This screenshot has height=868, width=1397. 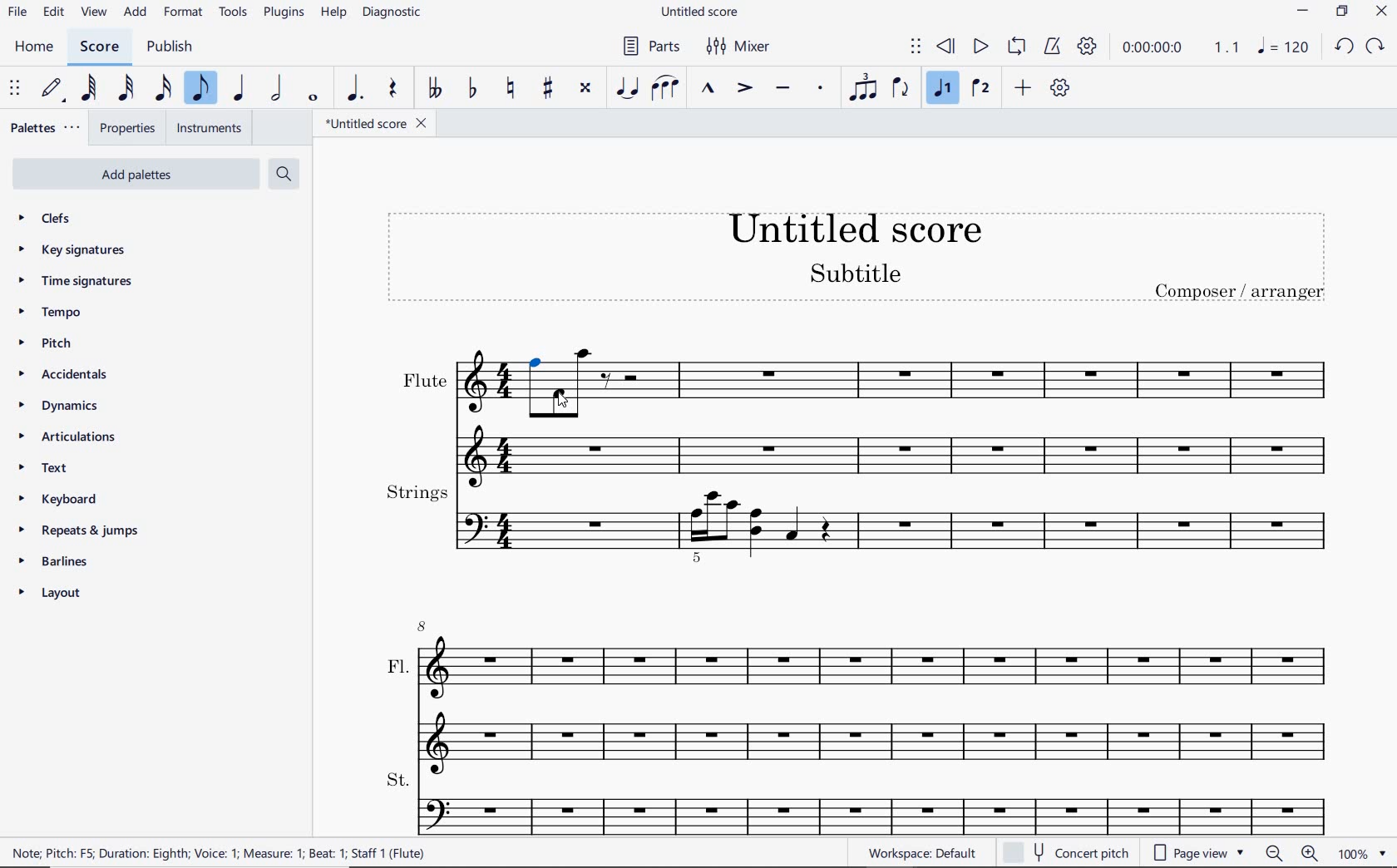 What do you see at coordinates (822, 89) in the screenshot?
I see `STACCATO` at bounding box center [822, 89].